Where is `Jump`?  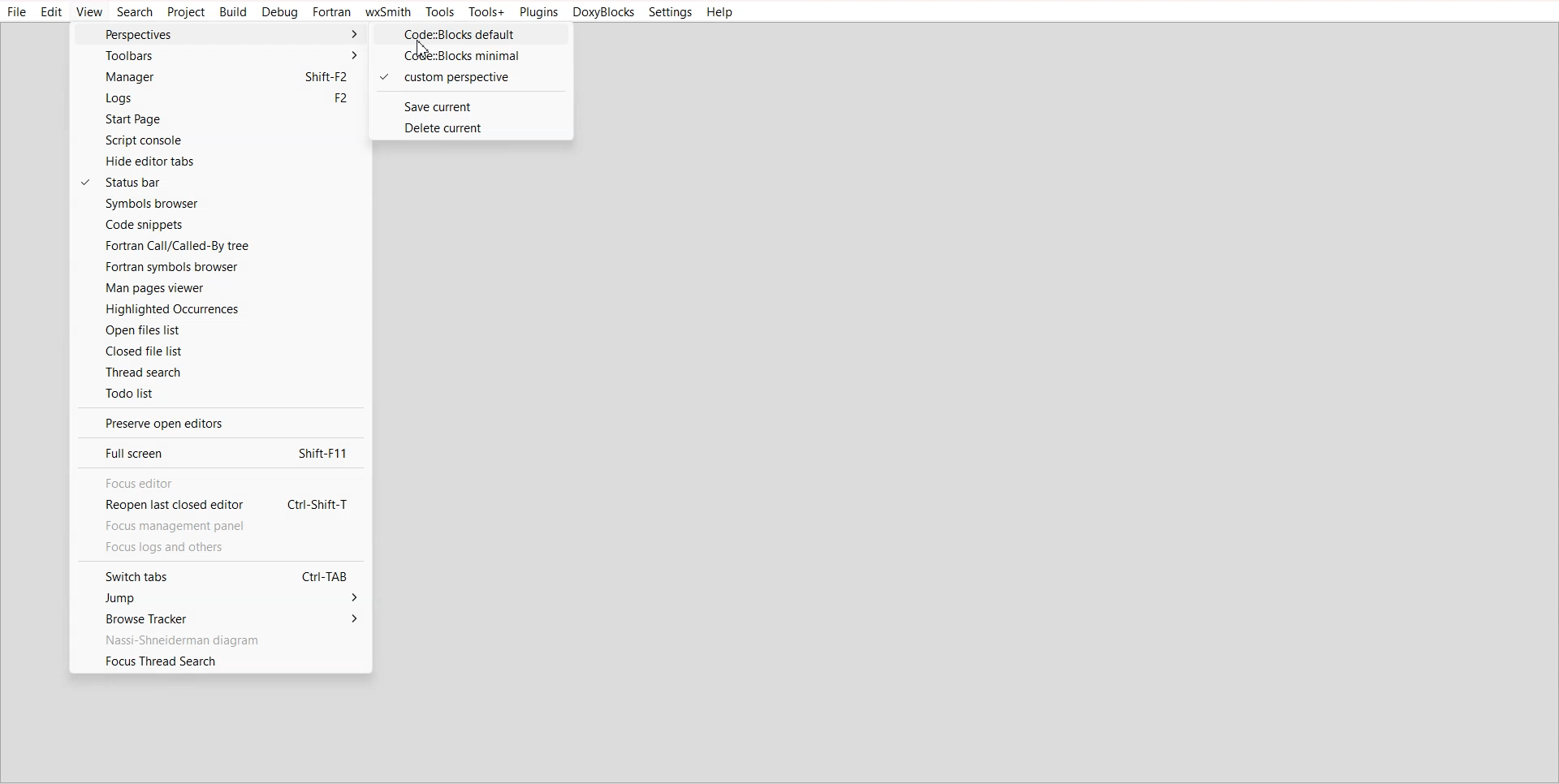
Jump is located at coordinates (218, 599).